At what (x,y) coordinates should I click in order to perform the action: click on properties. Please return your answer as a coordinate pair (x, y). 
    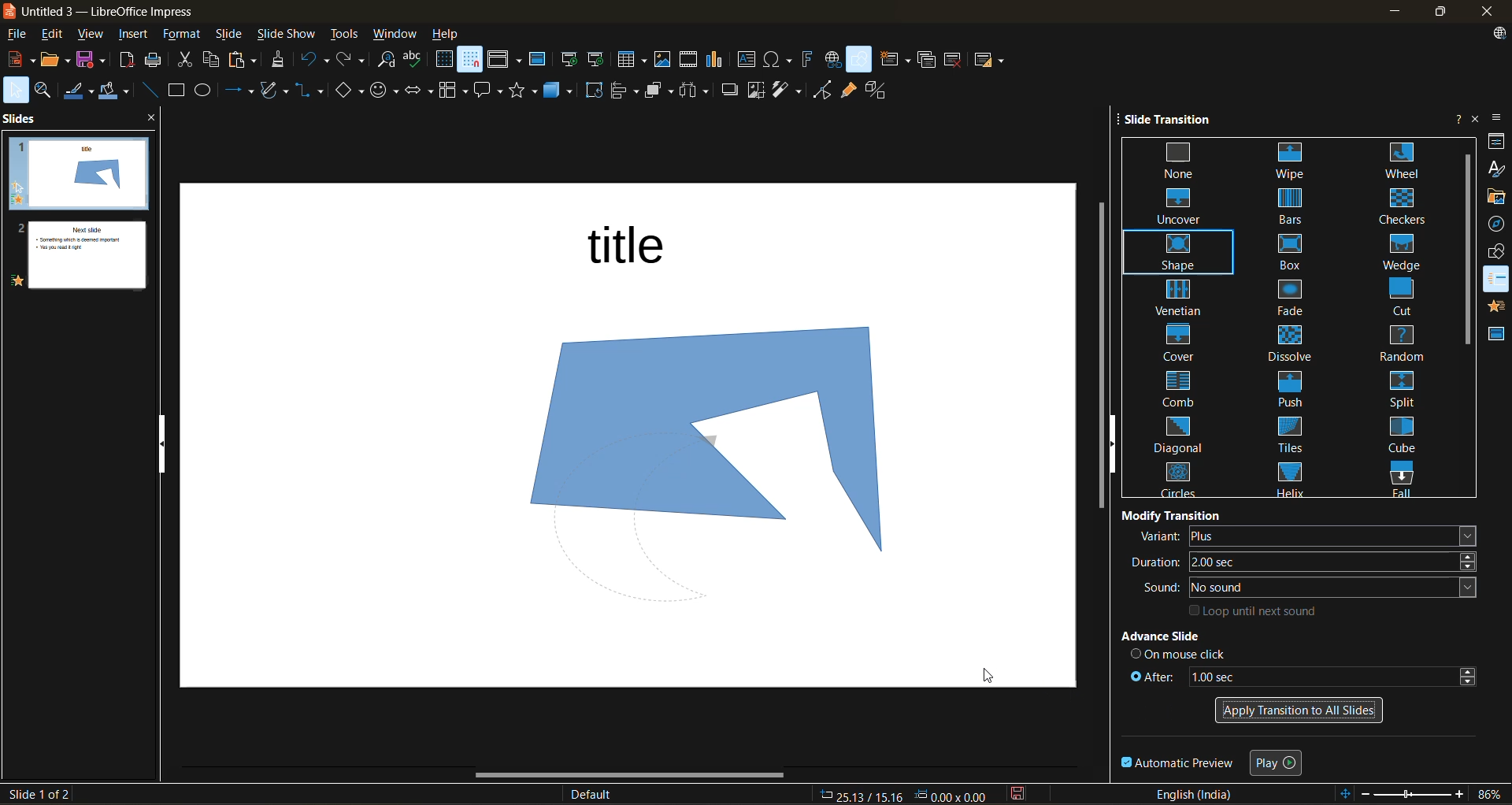
    Looking at the image, I should click on (1496, 144).